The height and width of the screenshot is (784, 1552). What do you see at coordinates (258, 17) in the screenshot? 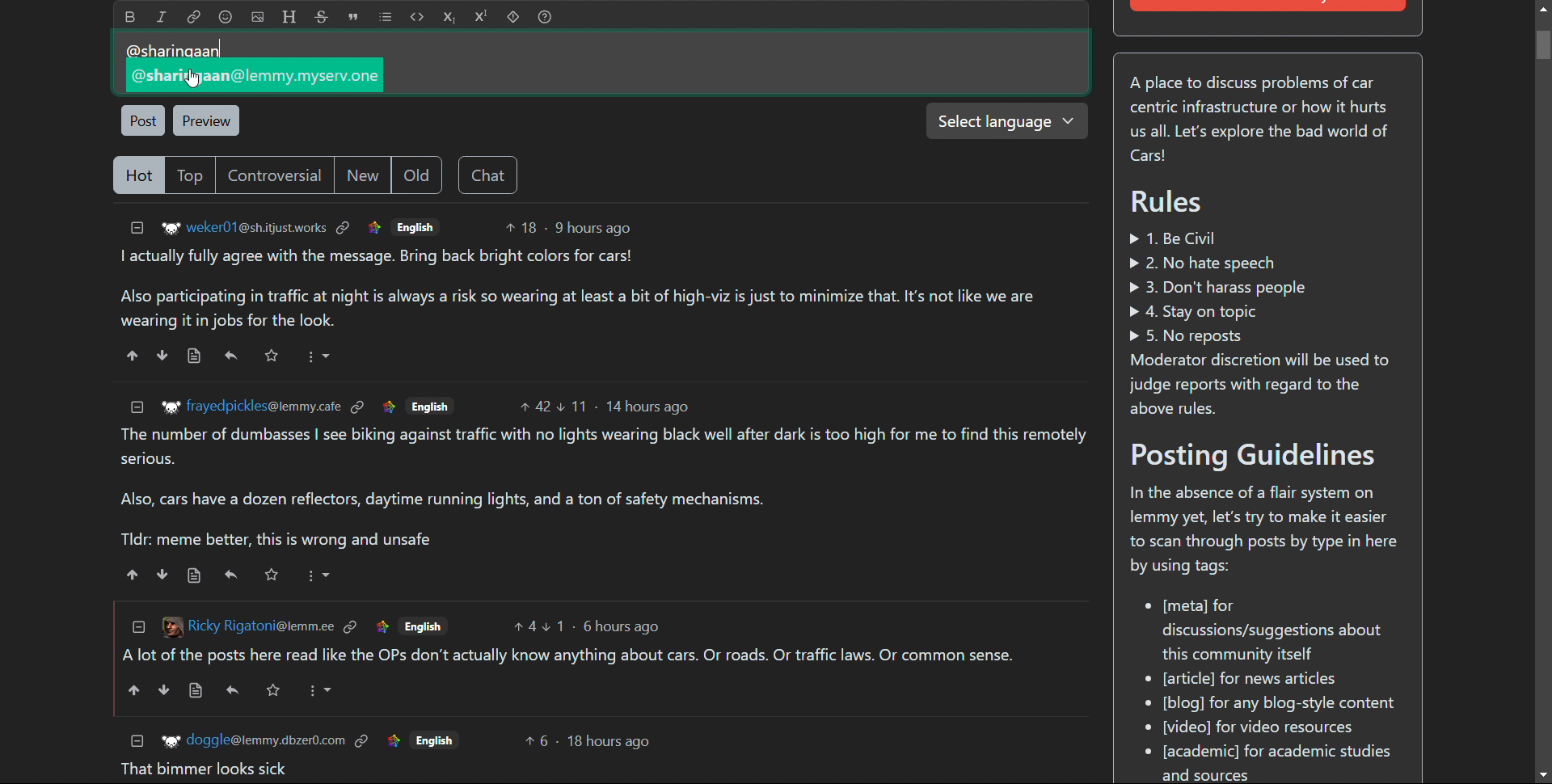
I see `add image` at bounding box center [258, 17].